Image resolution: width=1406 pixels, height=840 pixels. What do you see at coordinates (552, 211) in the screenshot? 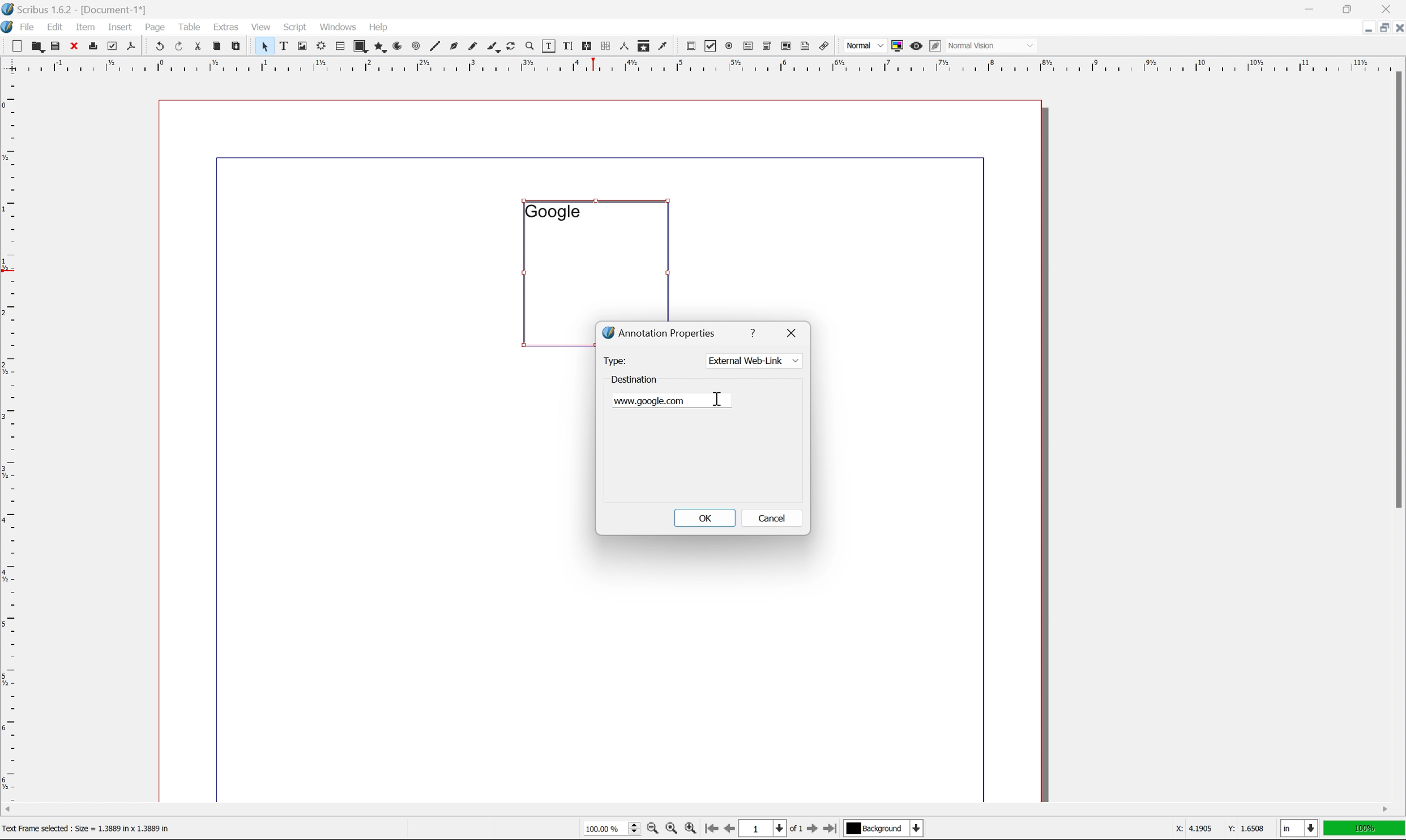
I see `google` at bounding box center [552, 211].